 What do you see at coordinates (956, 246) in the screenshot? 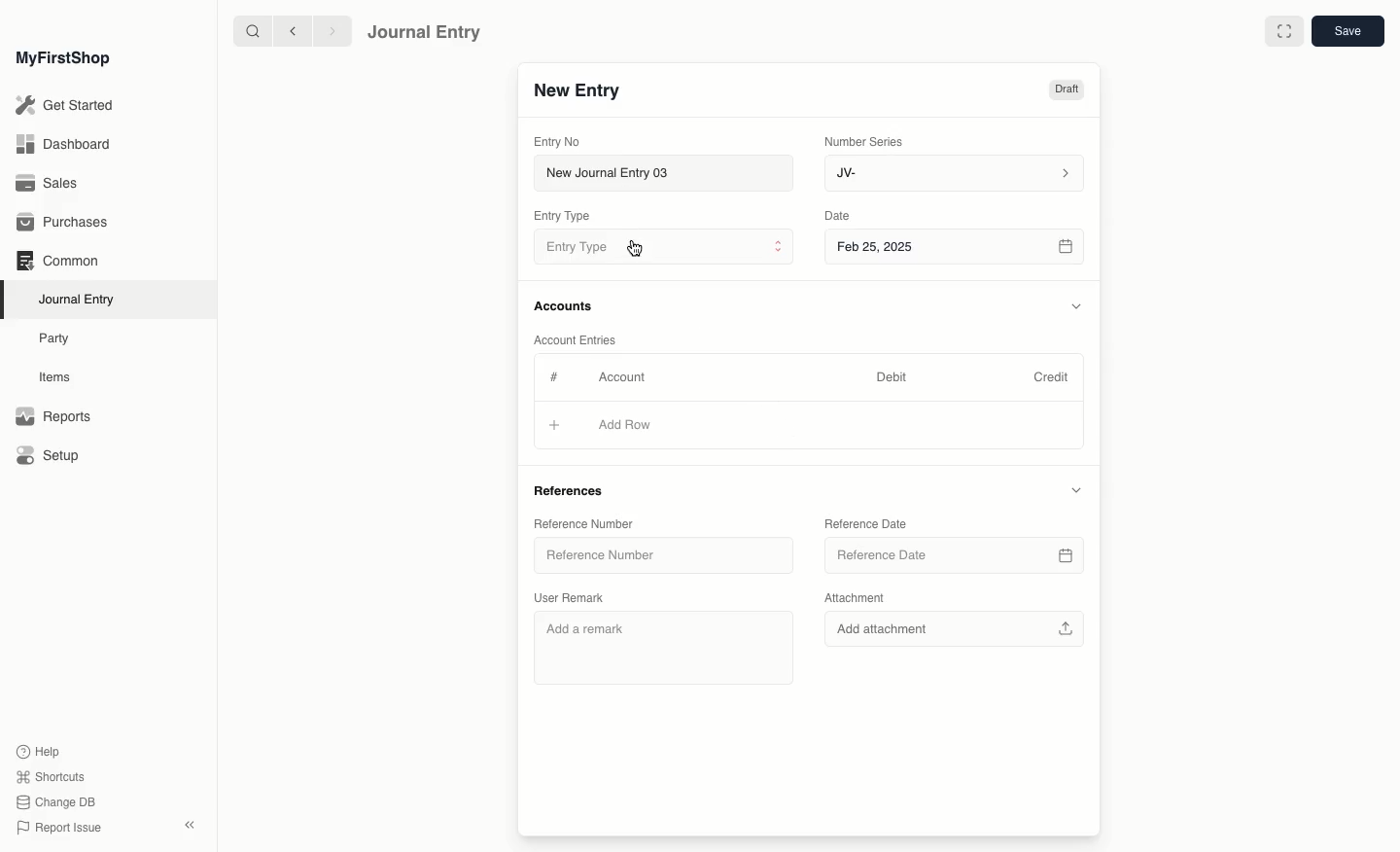
I see `Feb 25, 2025 8` at bounding box center [956, 246].